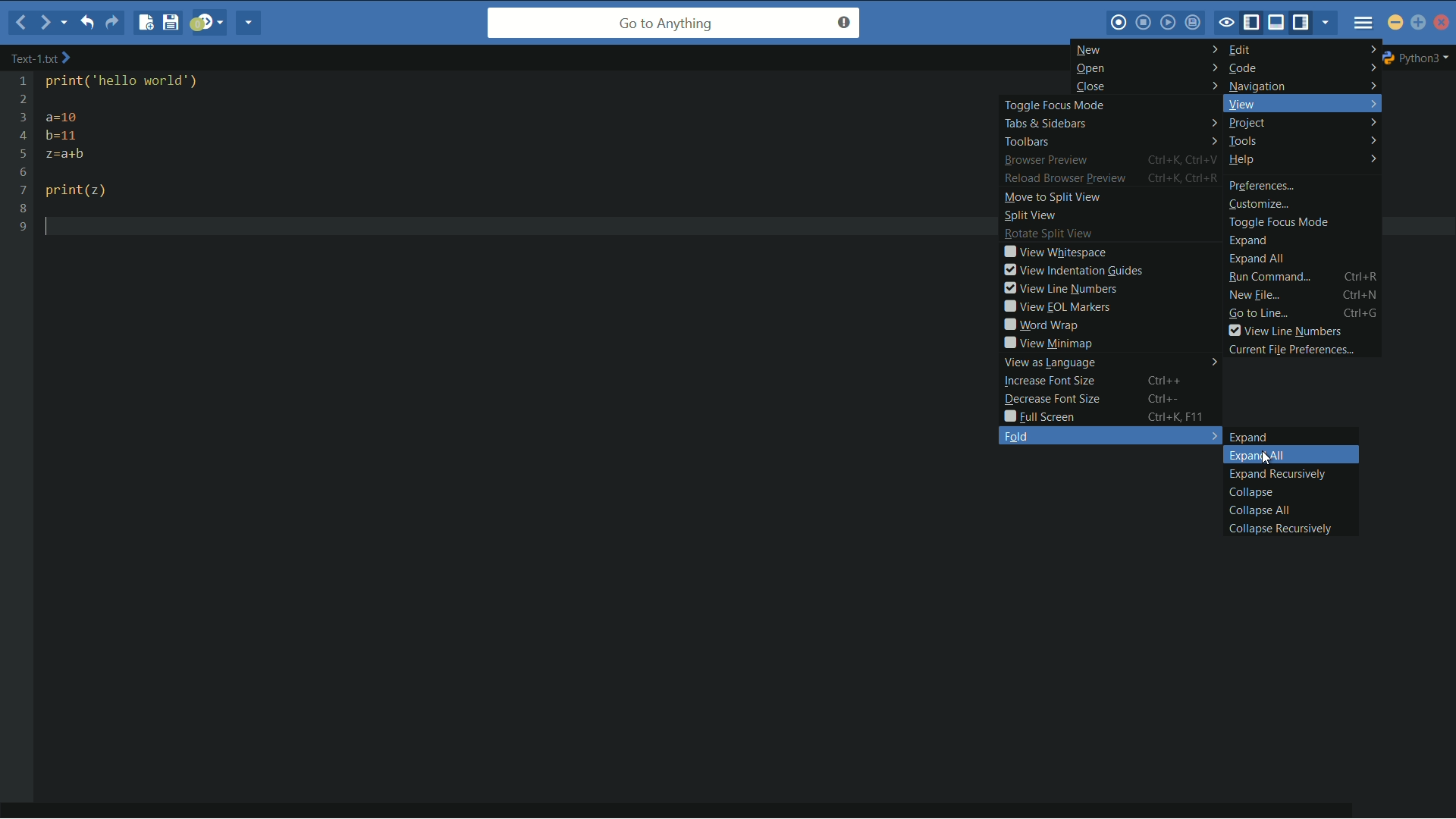 The width and height of the screenshot is (1456, 819). Describe the element at coordinates (1147, 49) in the screenshot. I see `new` at that location.